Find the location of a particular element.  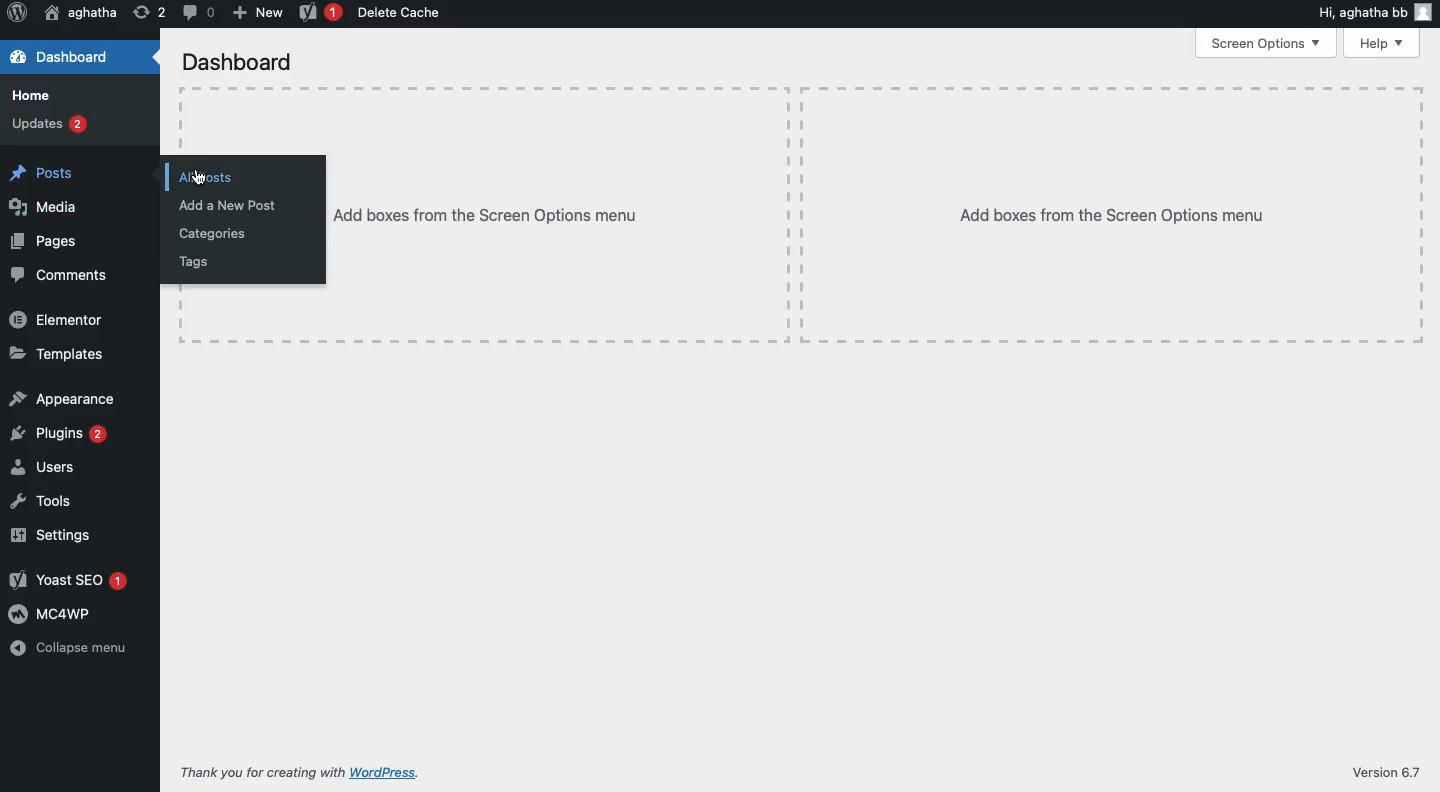

Add boxes from the Screen Options menu is located at coordinates (1112, 216).